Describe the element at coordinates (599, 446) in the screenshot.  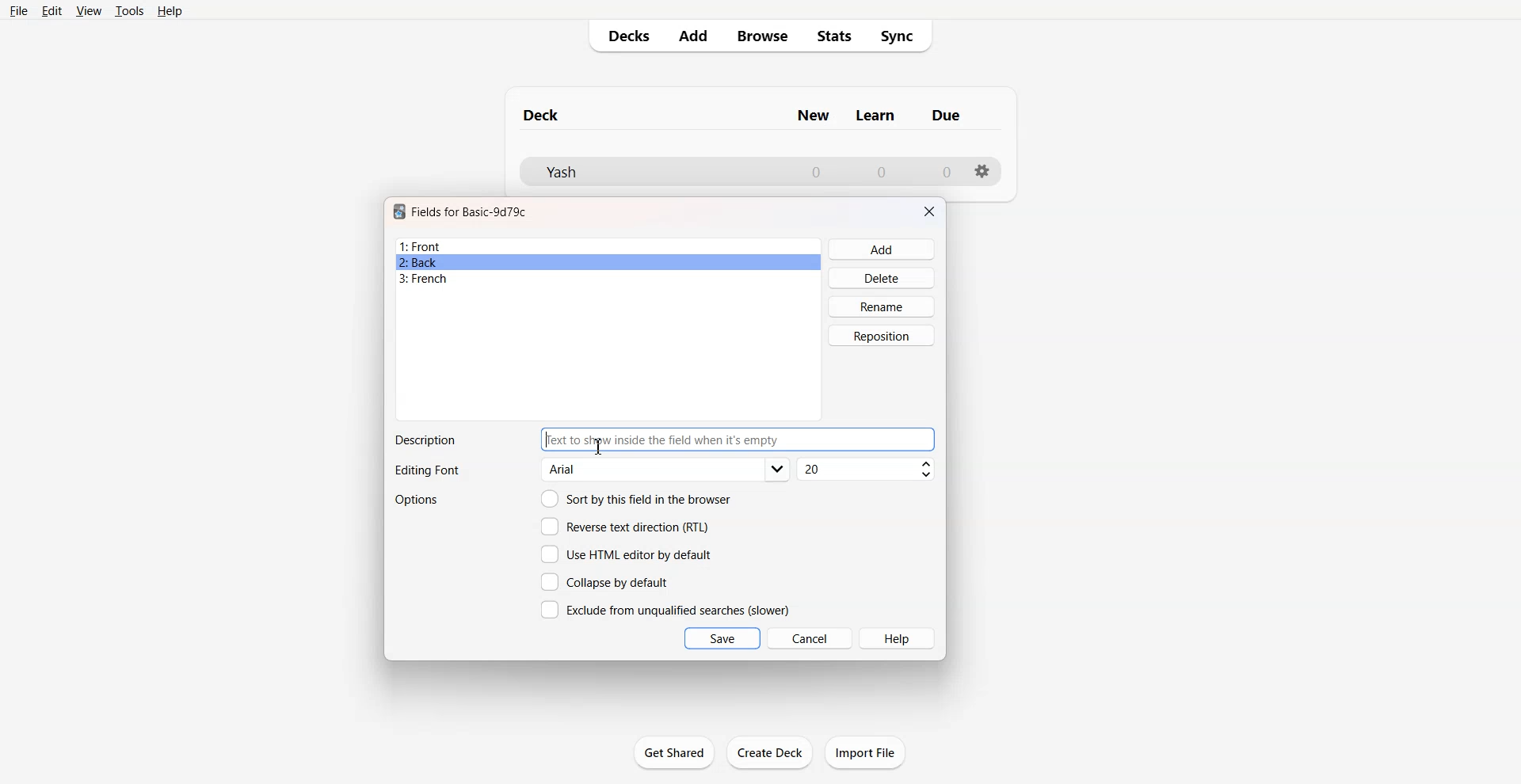
I see `Text Cursor` at that location.